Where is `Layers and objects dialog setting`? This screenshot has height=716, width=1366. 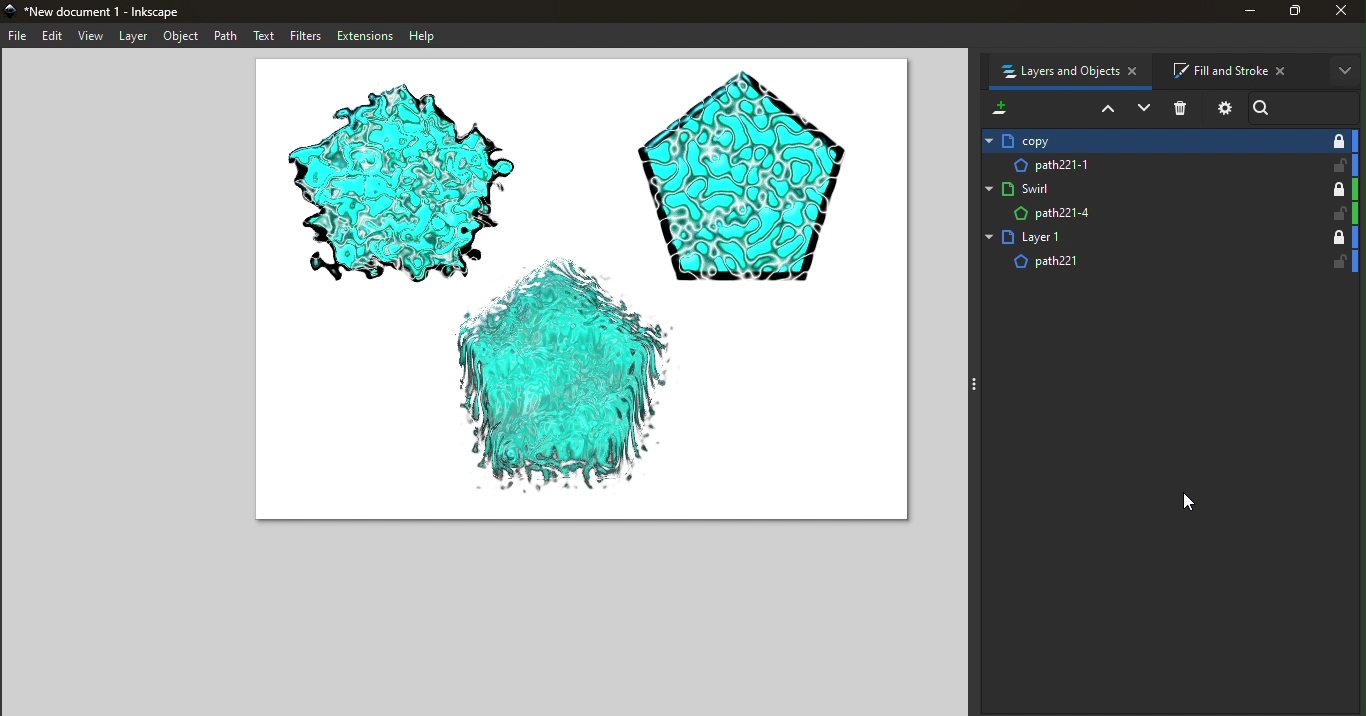
Layers and objects dialog setting is located at coordinates (1223, 111).